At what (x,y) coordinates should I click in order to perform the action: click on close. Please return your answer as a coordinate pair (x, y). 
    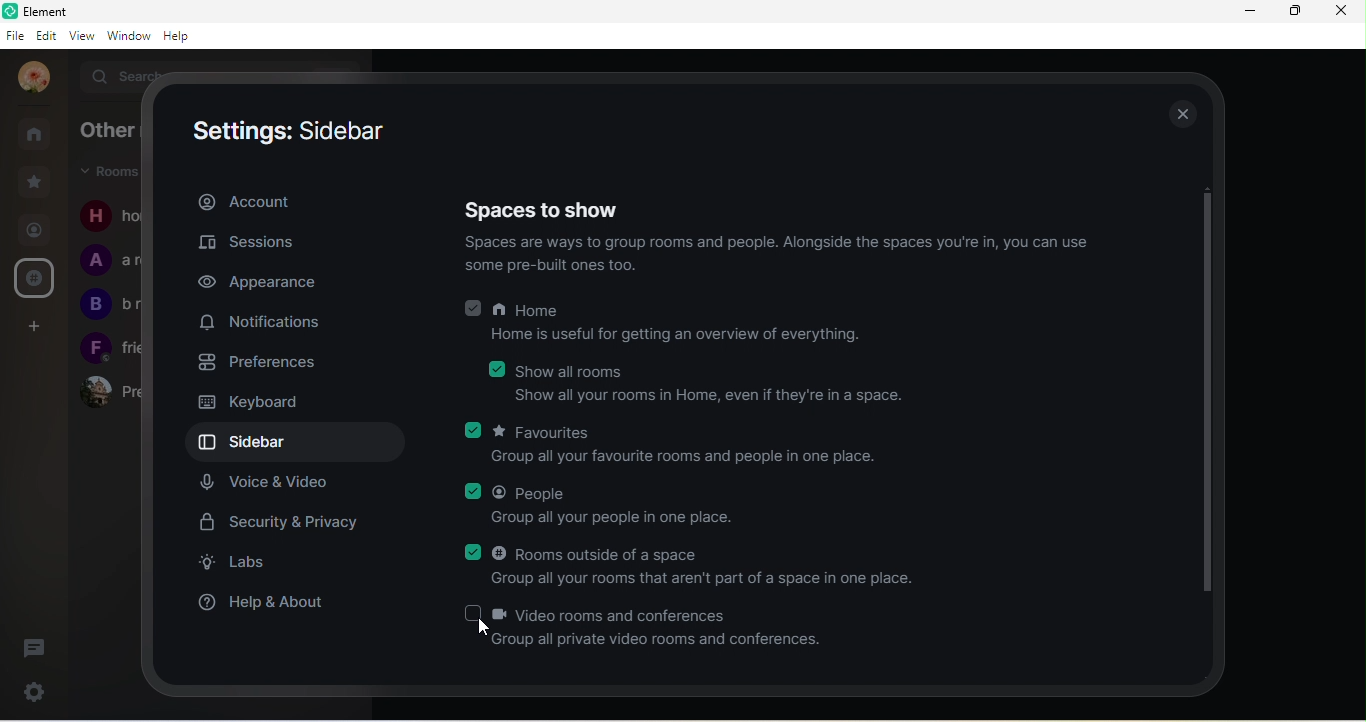
    Looking at the image, I should click on (1176, 112).